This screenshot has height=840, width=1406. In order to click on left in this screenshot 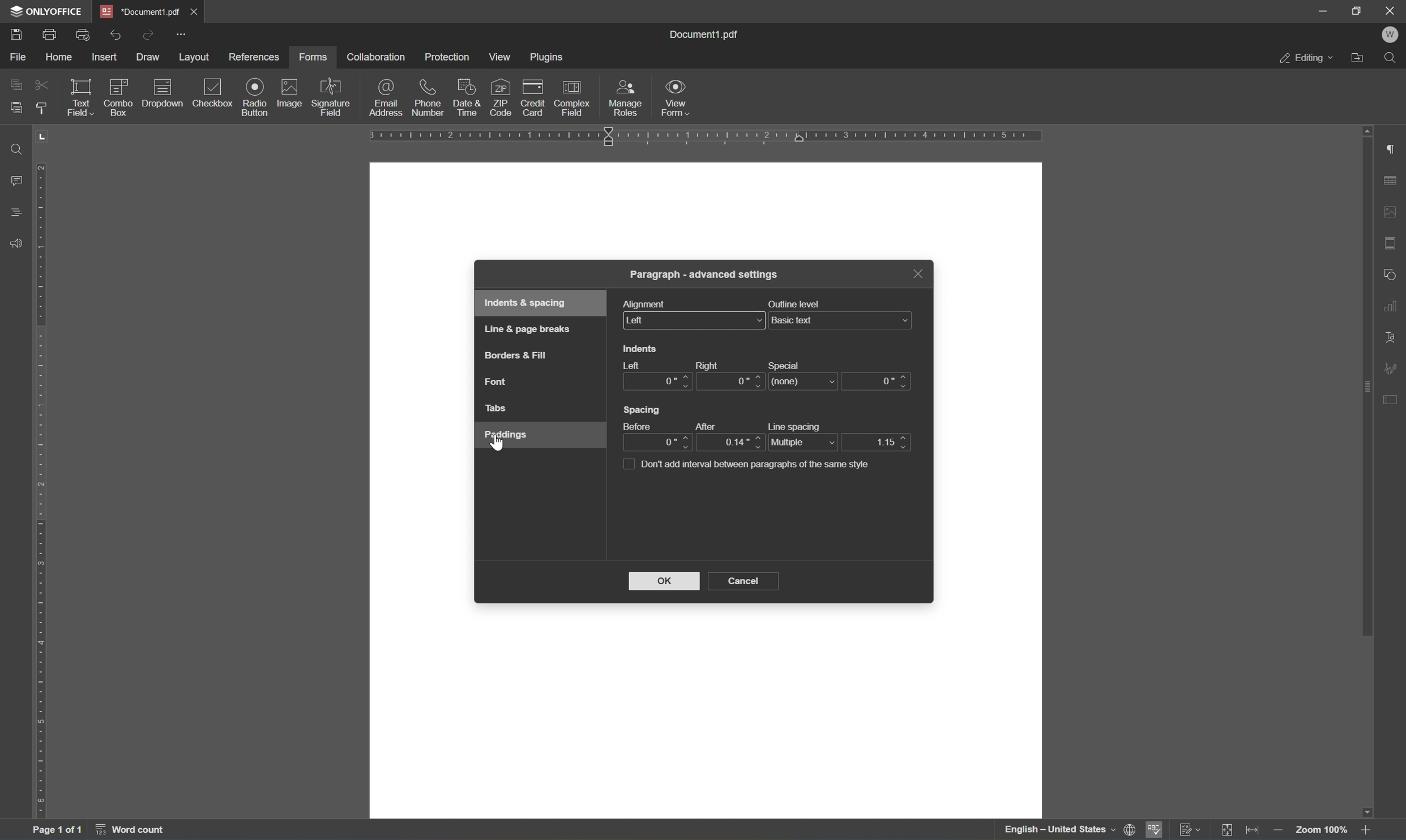, I will do `click(629, 365)`.